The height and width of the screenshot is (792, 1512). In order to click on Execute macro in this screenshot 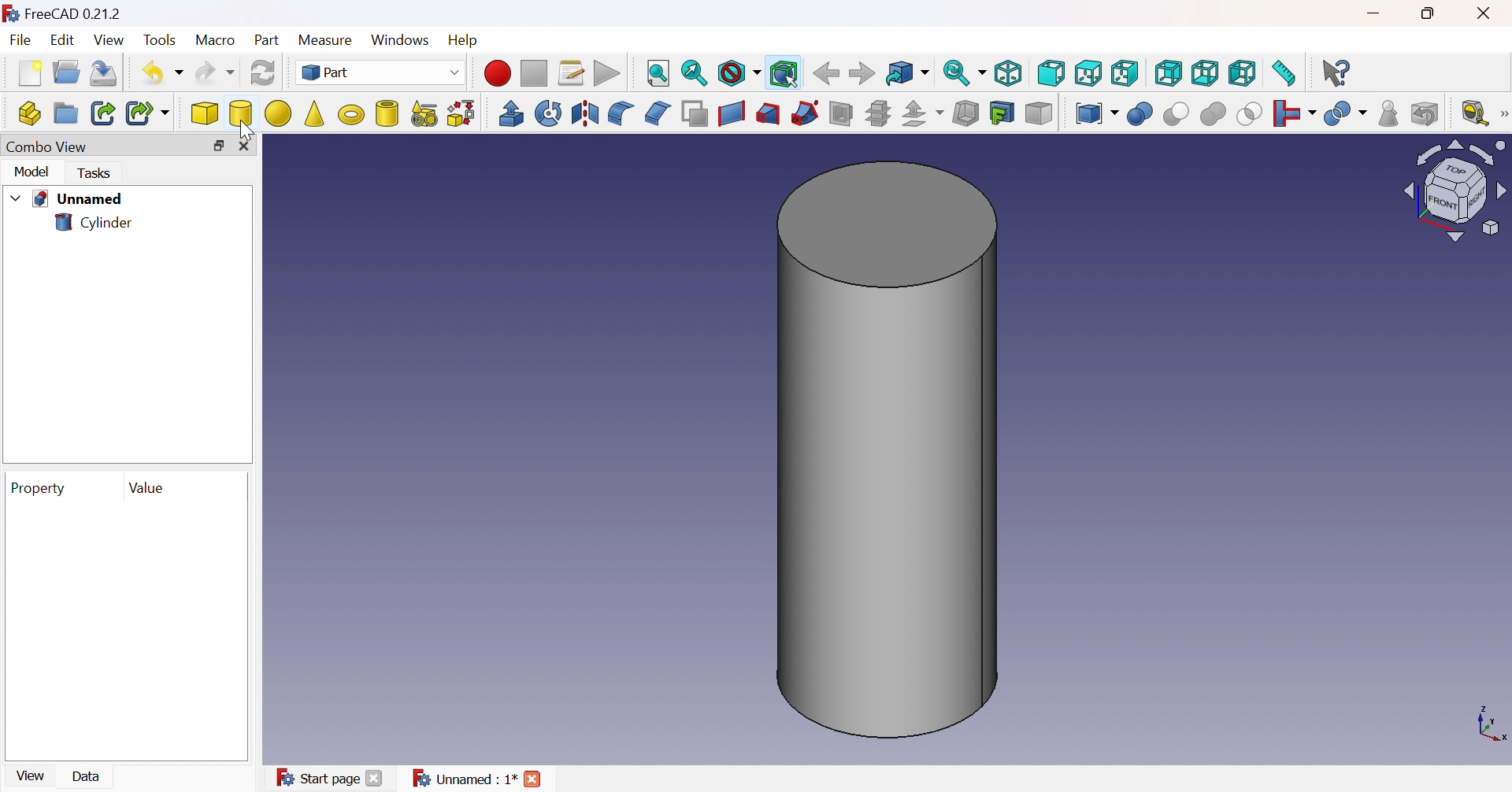, I will do `click(609, 74)`.